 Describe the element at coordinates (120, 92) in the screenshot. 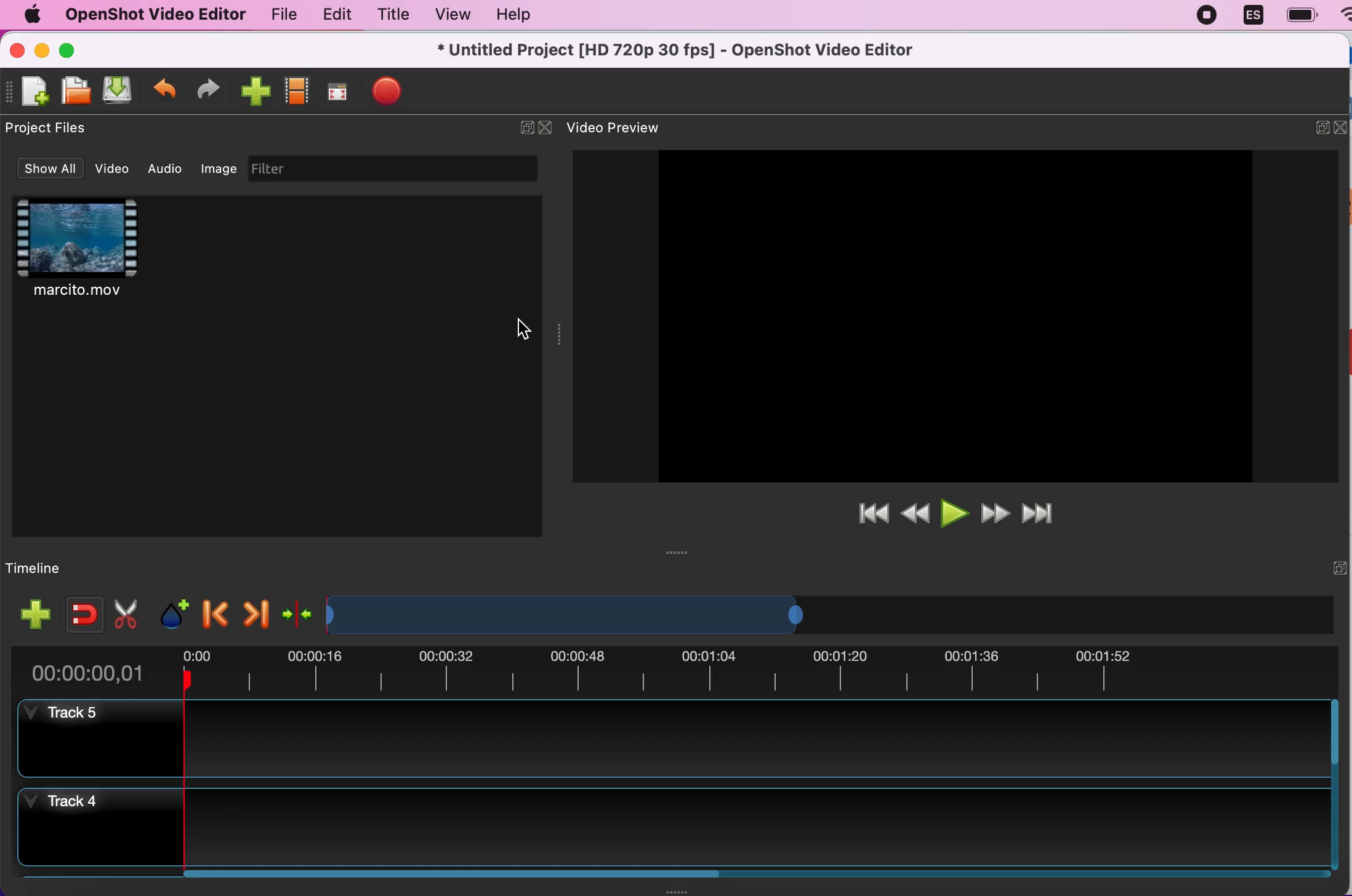

I see `save file` at that location.